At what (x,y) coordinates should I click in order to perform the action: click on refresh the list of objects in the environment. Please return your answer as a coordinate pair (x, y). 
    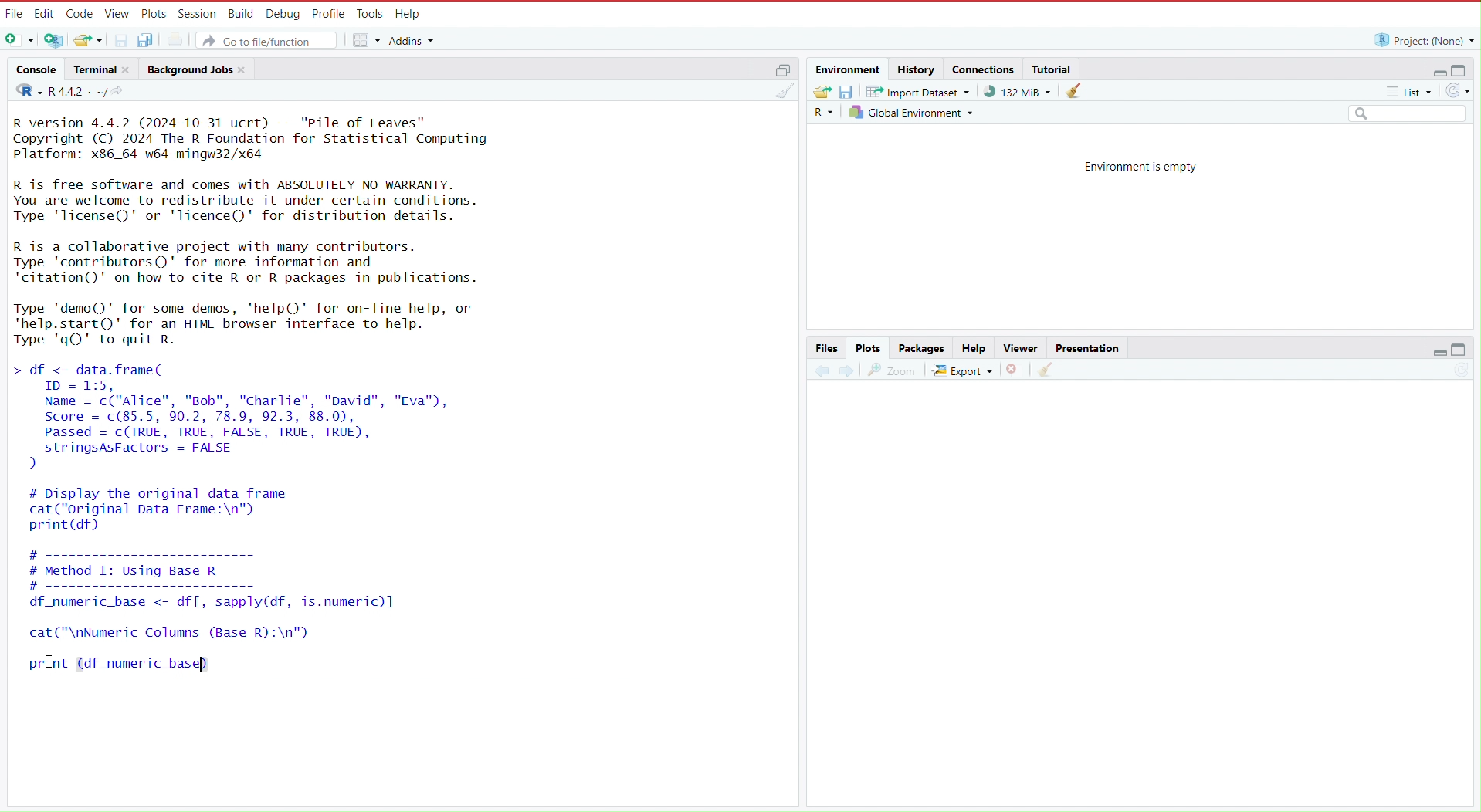
    Looking at the image, I should click on (1462, 91).